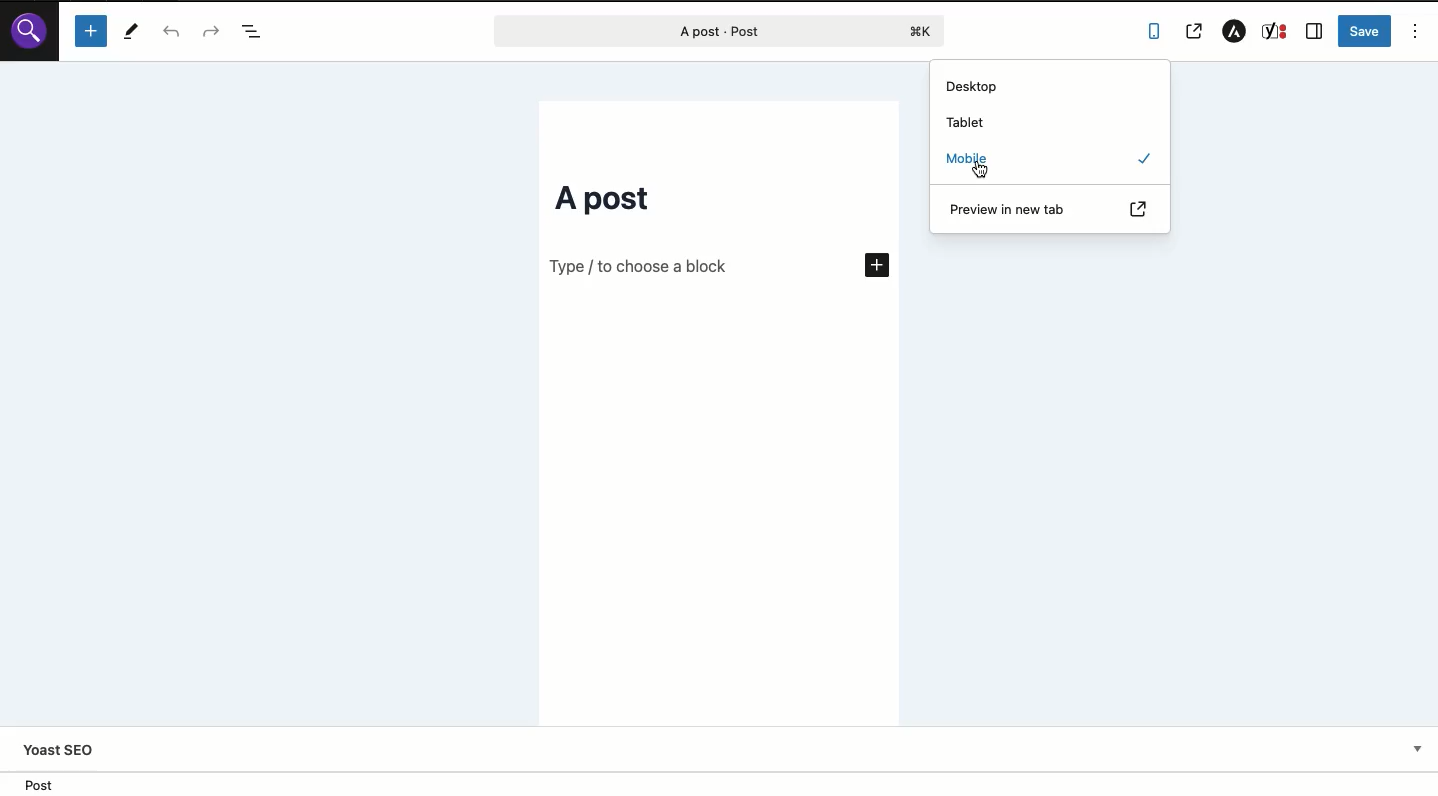 The image size is (1438, 796). Describe the element at coordinates (868, 263) in the screenshot. I see `add block` at that location.